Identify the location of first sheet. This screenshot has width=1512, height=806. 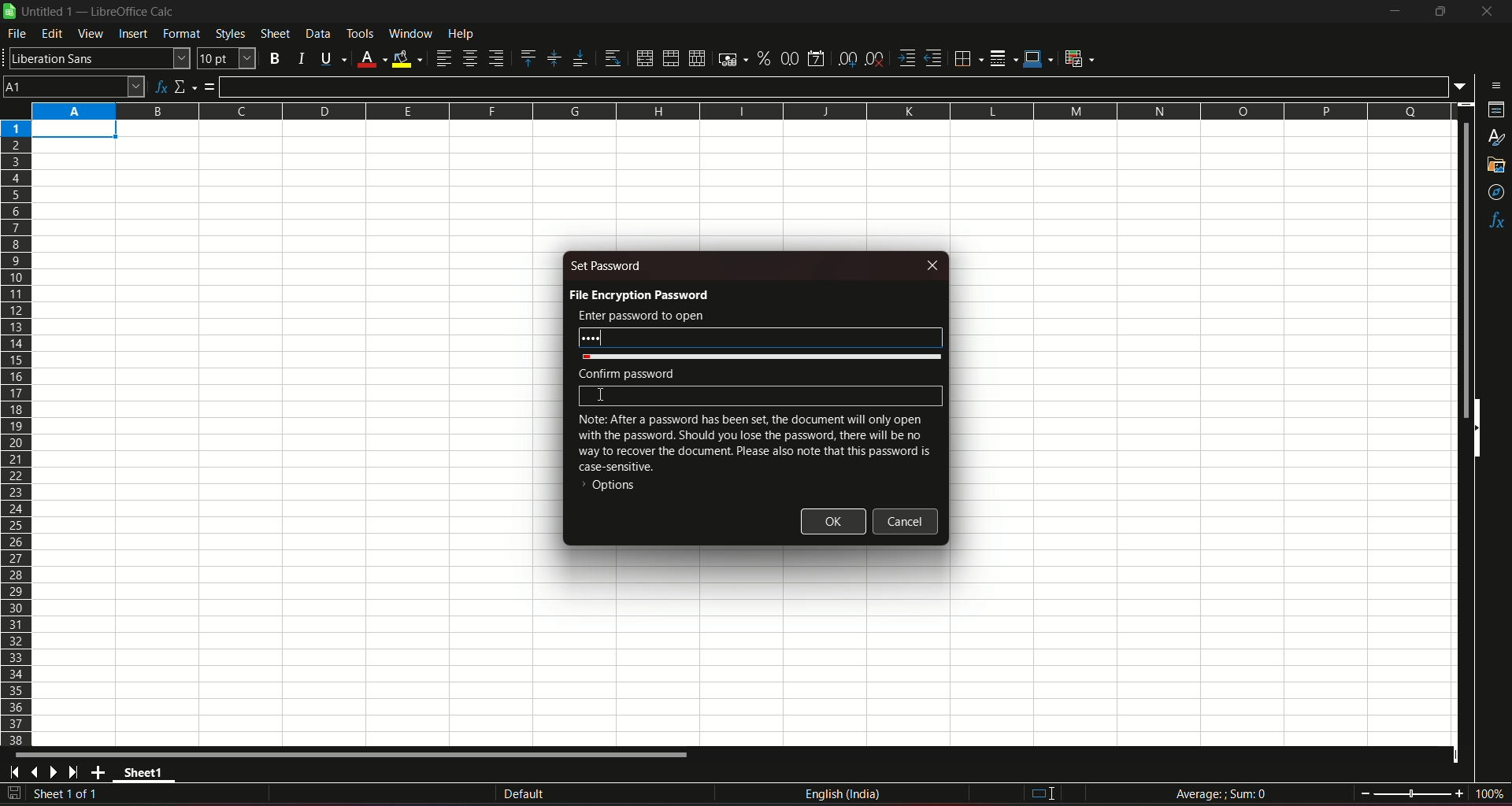
(17, 772).